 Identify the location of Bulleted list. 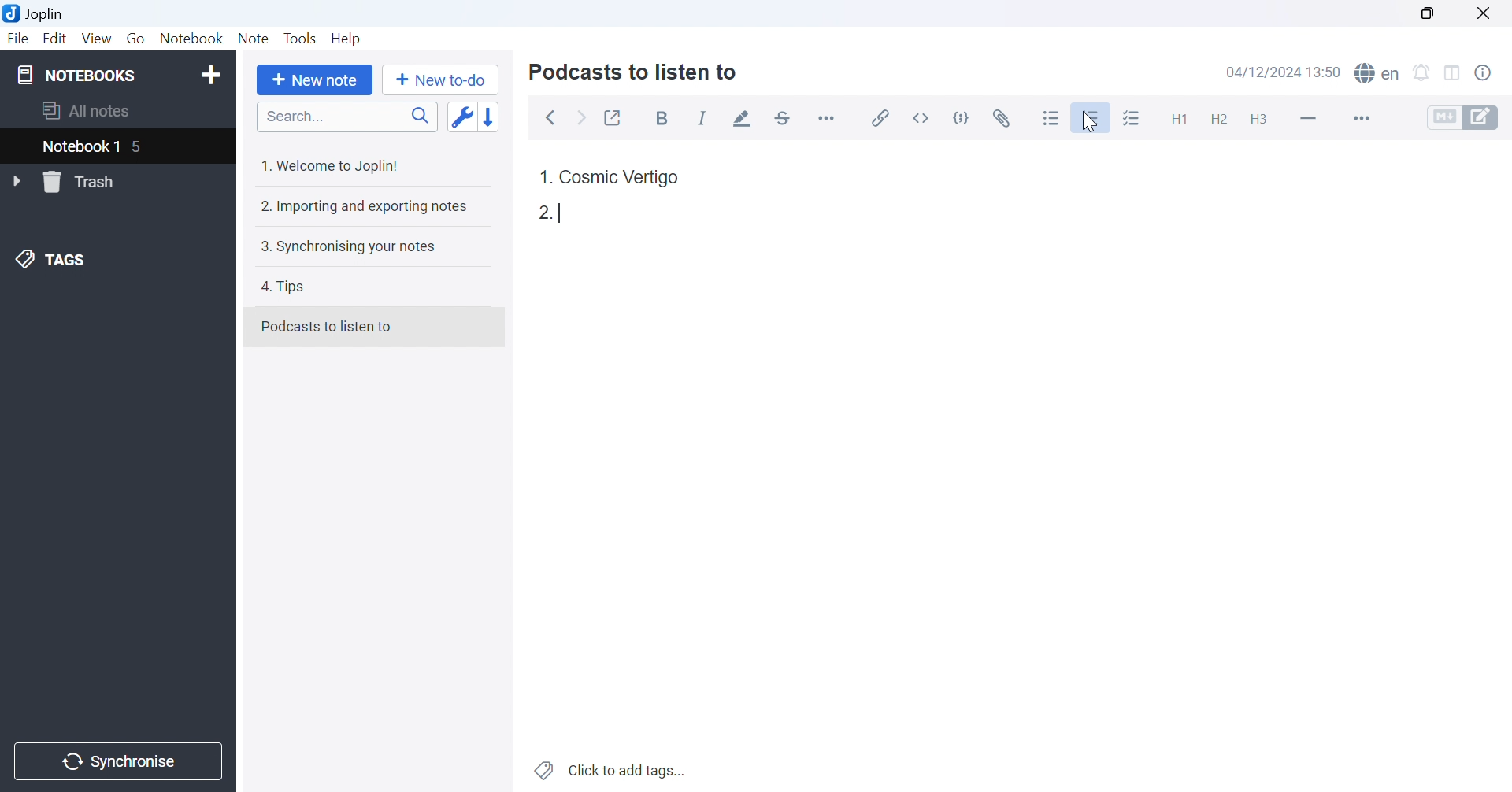
(1052, 117).